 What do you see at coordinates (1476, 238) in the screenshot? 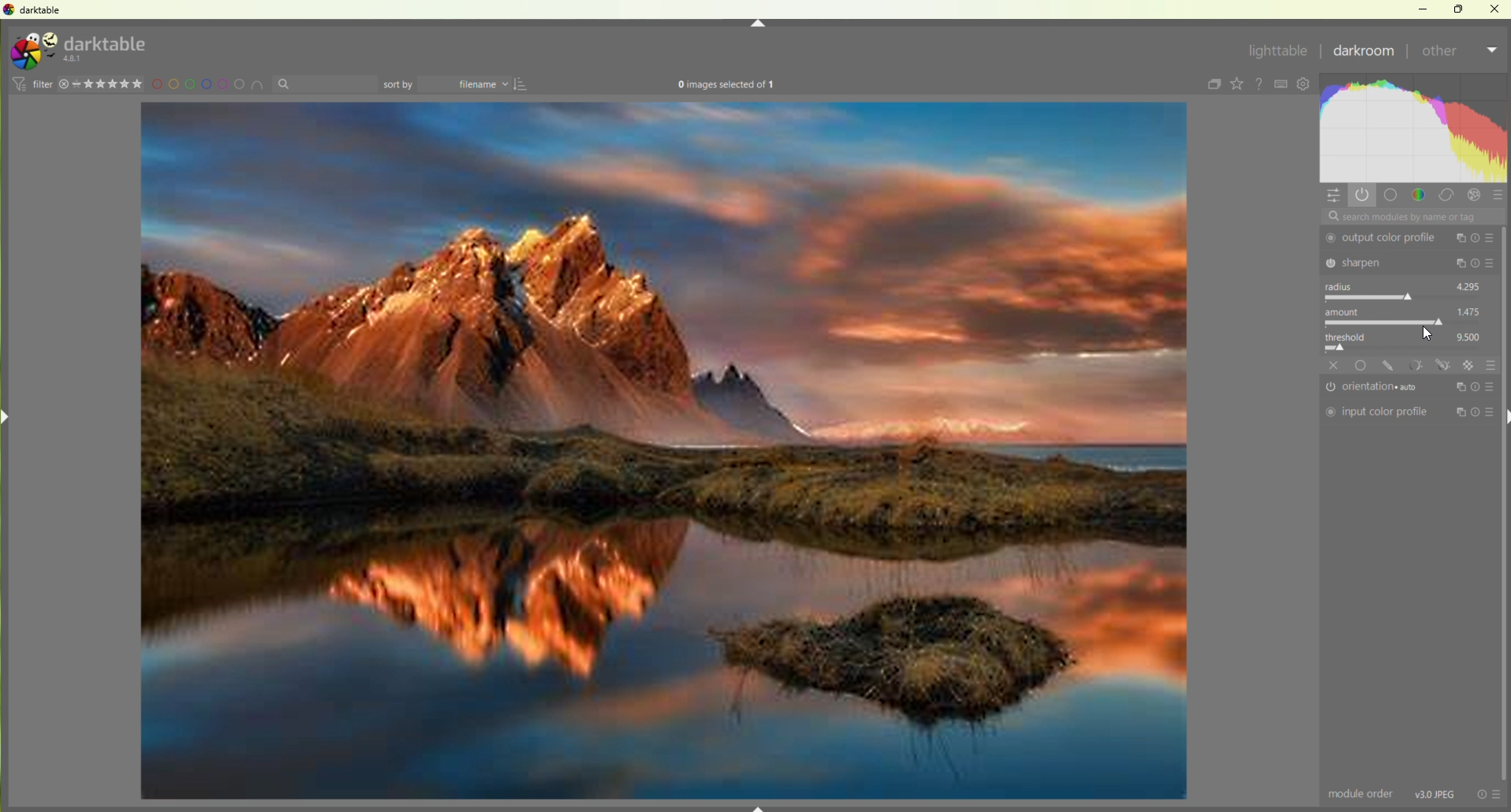
I see `copy, reset and presets` at bounding box center [1476, 238].